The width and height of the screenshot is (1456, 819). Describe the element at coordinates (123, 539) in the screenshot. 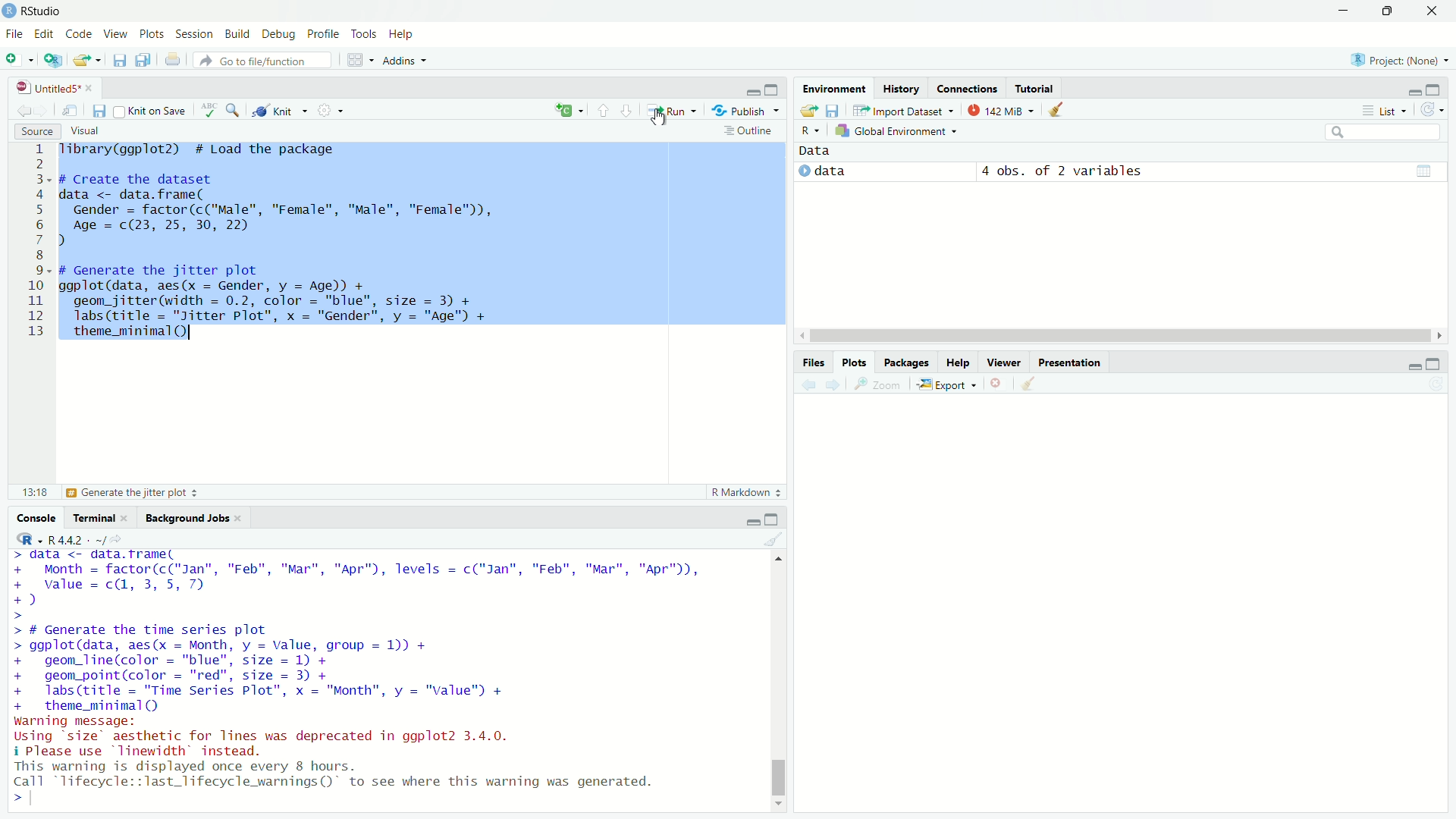

I see `view the current working directory` at that location.